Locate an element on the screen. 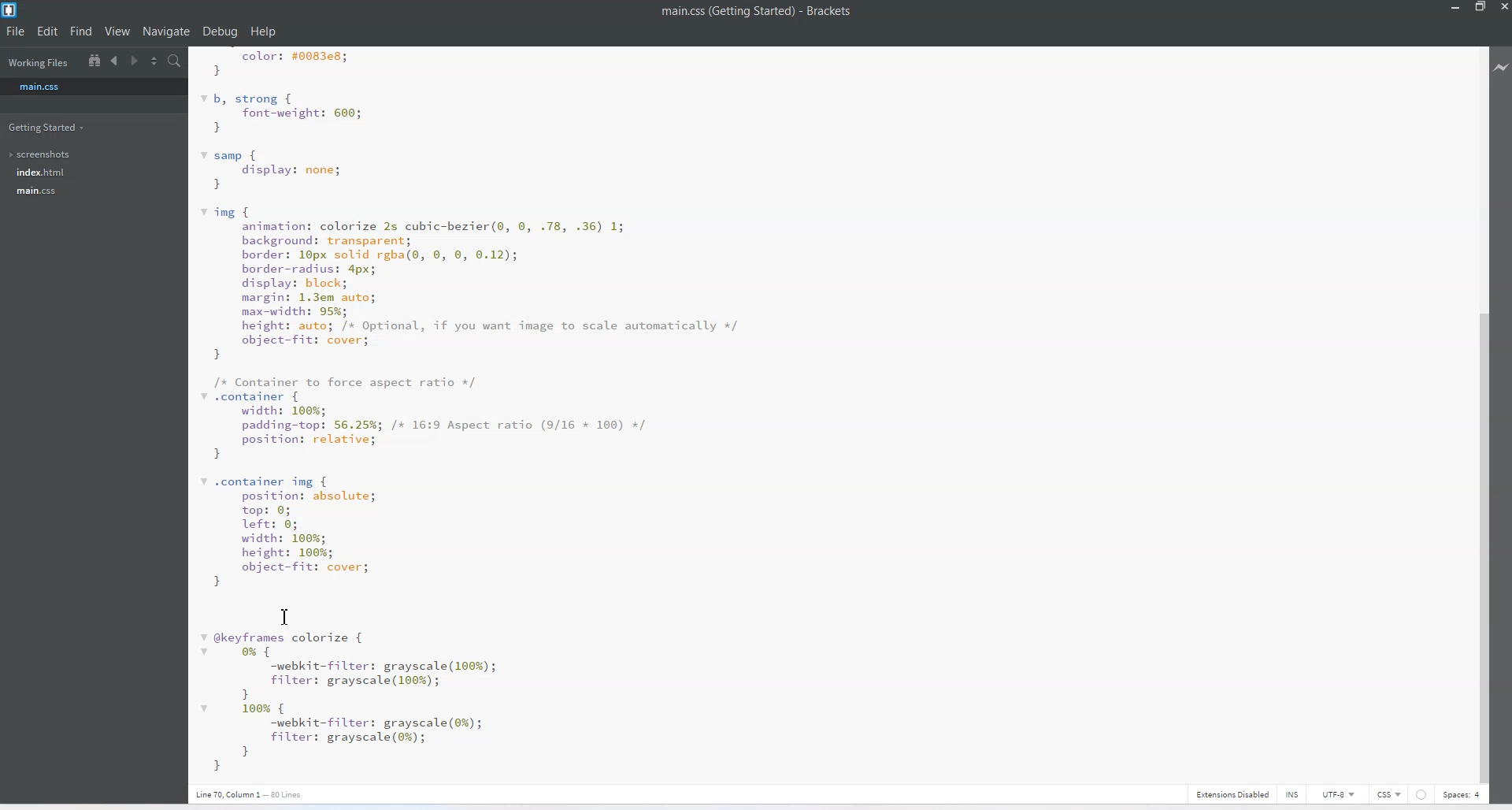  Text 2 is located at coordinates (259, 793).